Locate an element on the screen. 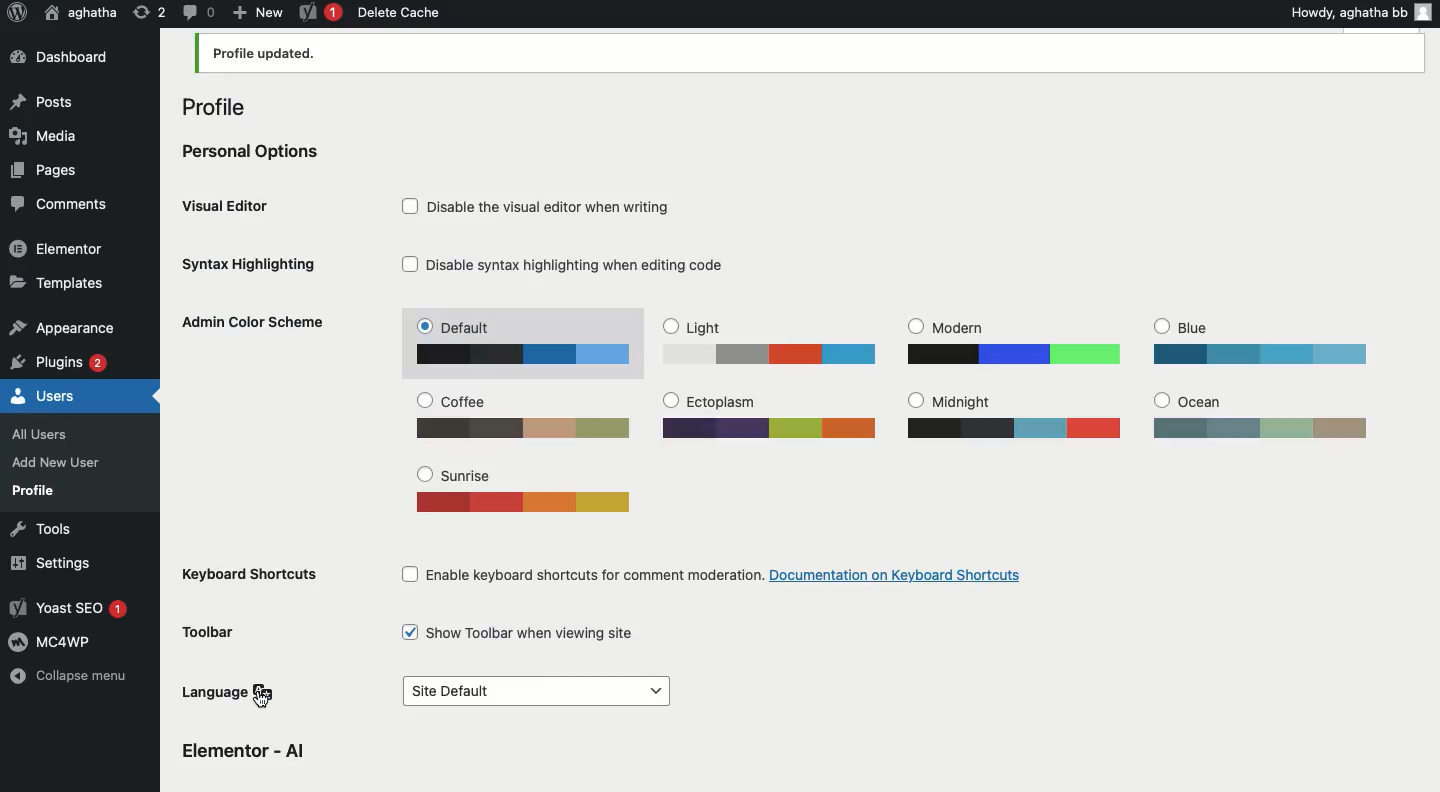  Media is located at coordinates (41, 135).